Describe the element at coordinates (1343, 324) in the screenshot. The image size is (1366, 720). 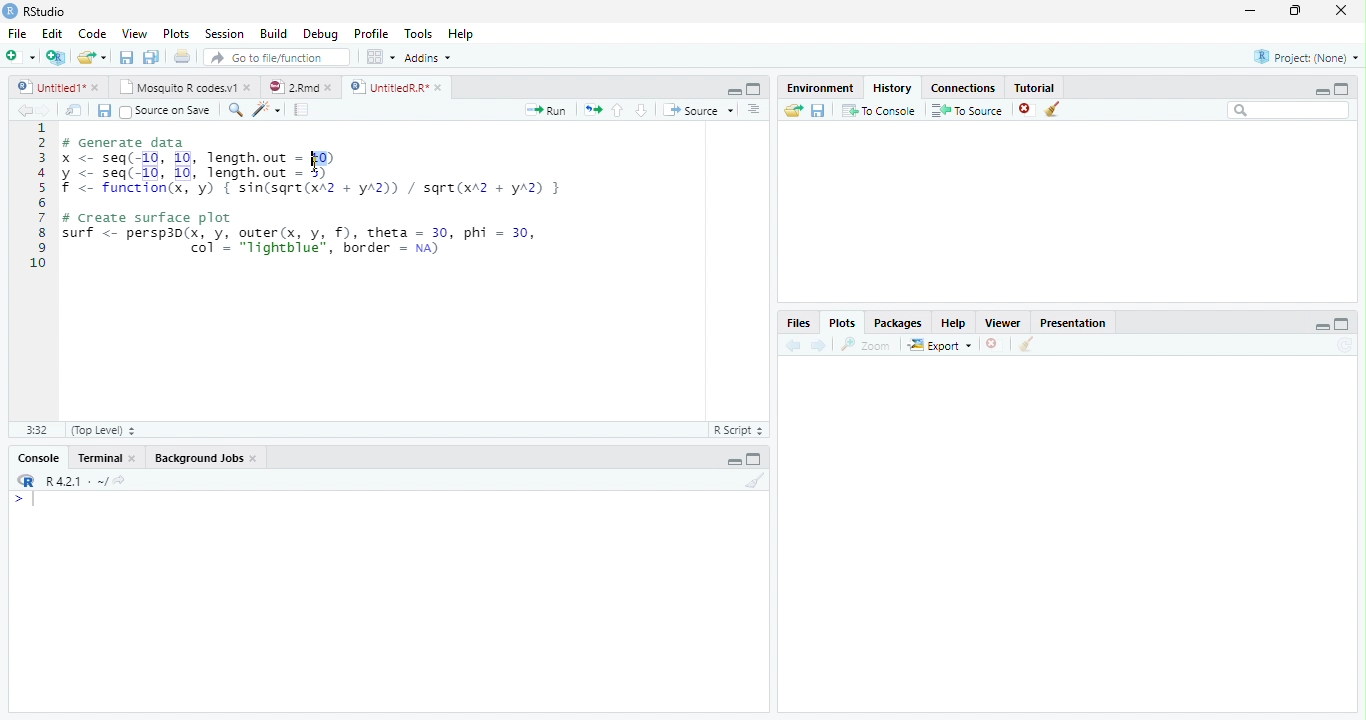
I see `maximize` at that location.